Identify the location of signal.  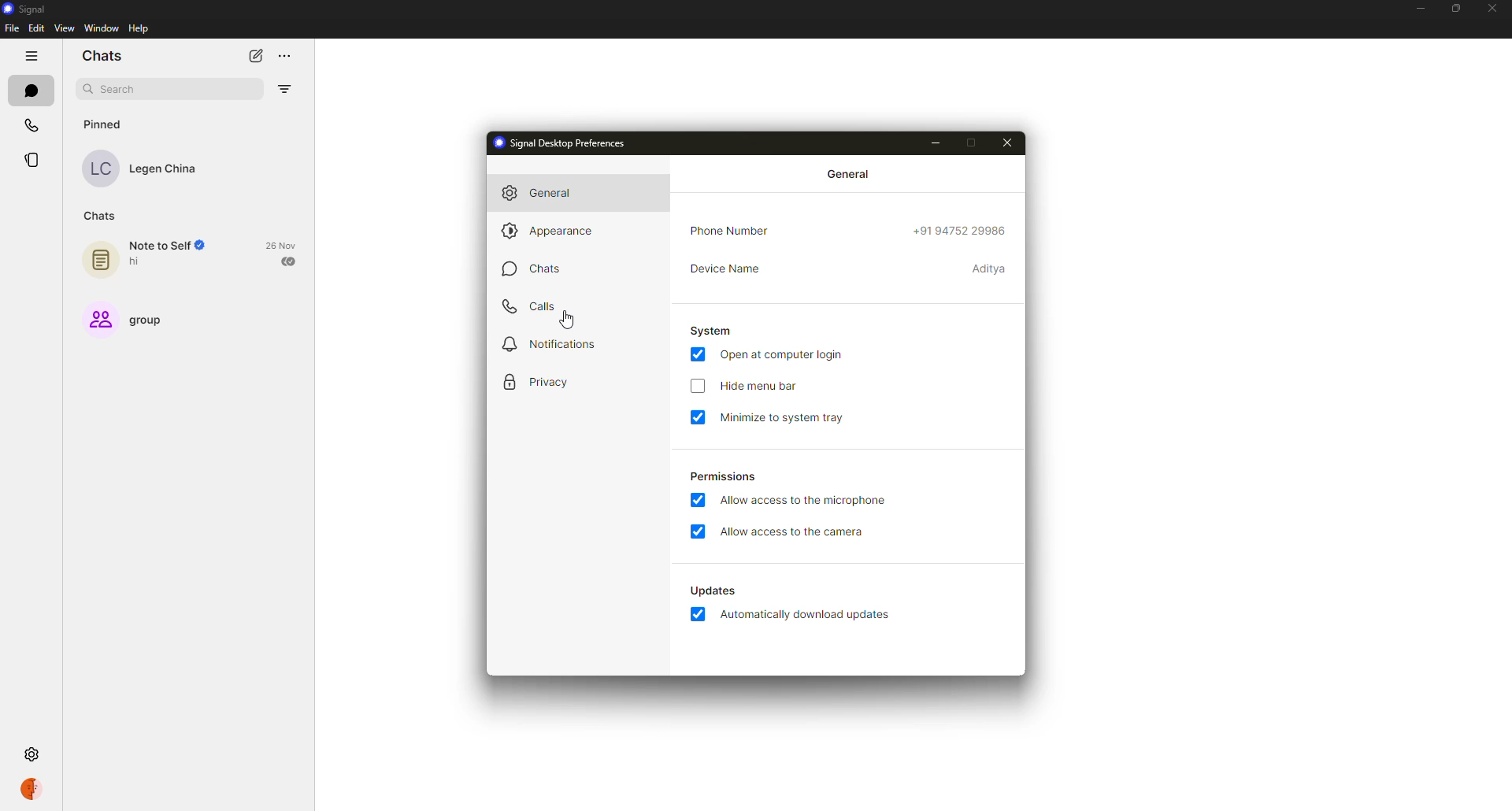
(27, 8).